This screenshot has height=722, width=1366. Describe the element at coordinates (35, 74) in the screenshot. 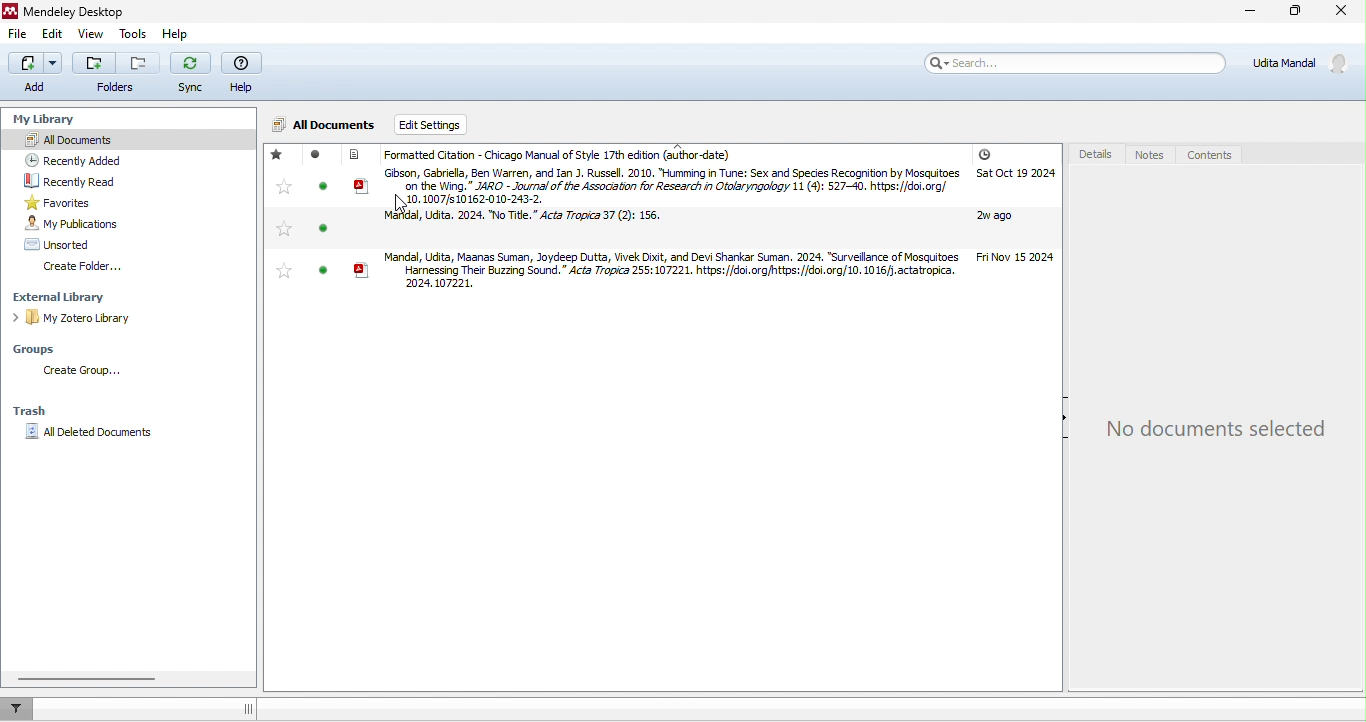

I see `` at that location.